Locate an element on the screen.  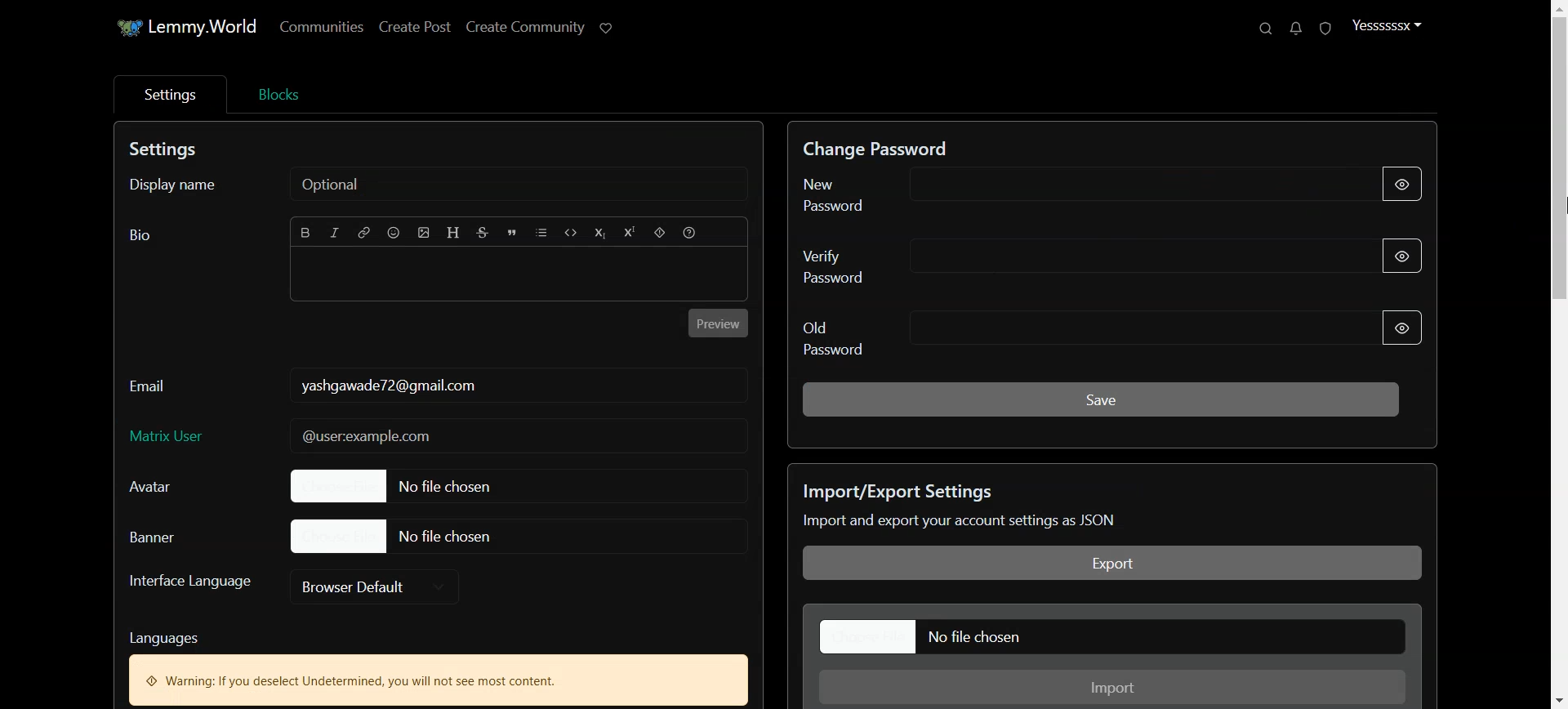
Text is located at coordinates (171, 149).